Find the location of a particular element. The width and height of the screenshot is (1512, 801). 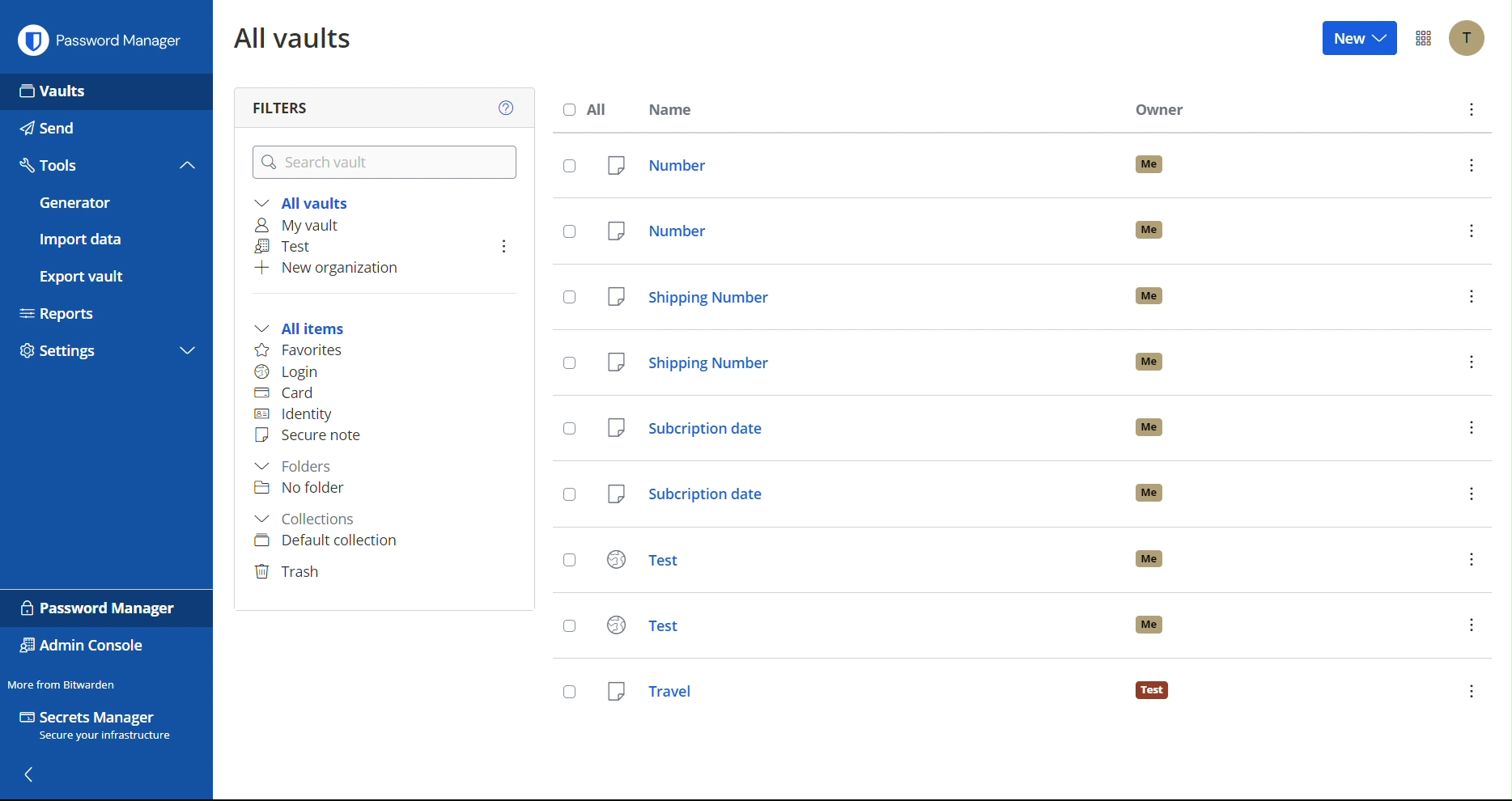

options is located at coordinates (1474, 109).